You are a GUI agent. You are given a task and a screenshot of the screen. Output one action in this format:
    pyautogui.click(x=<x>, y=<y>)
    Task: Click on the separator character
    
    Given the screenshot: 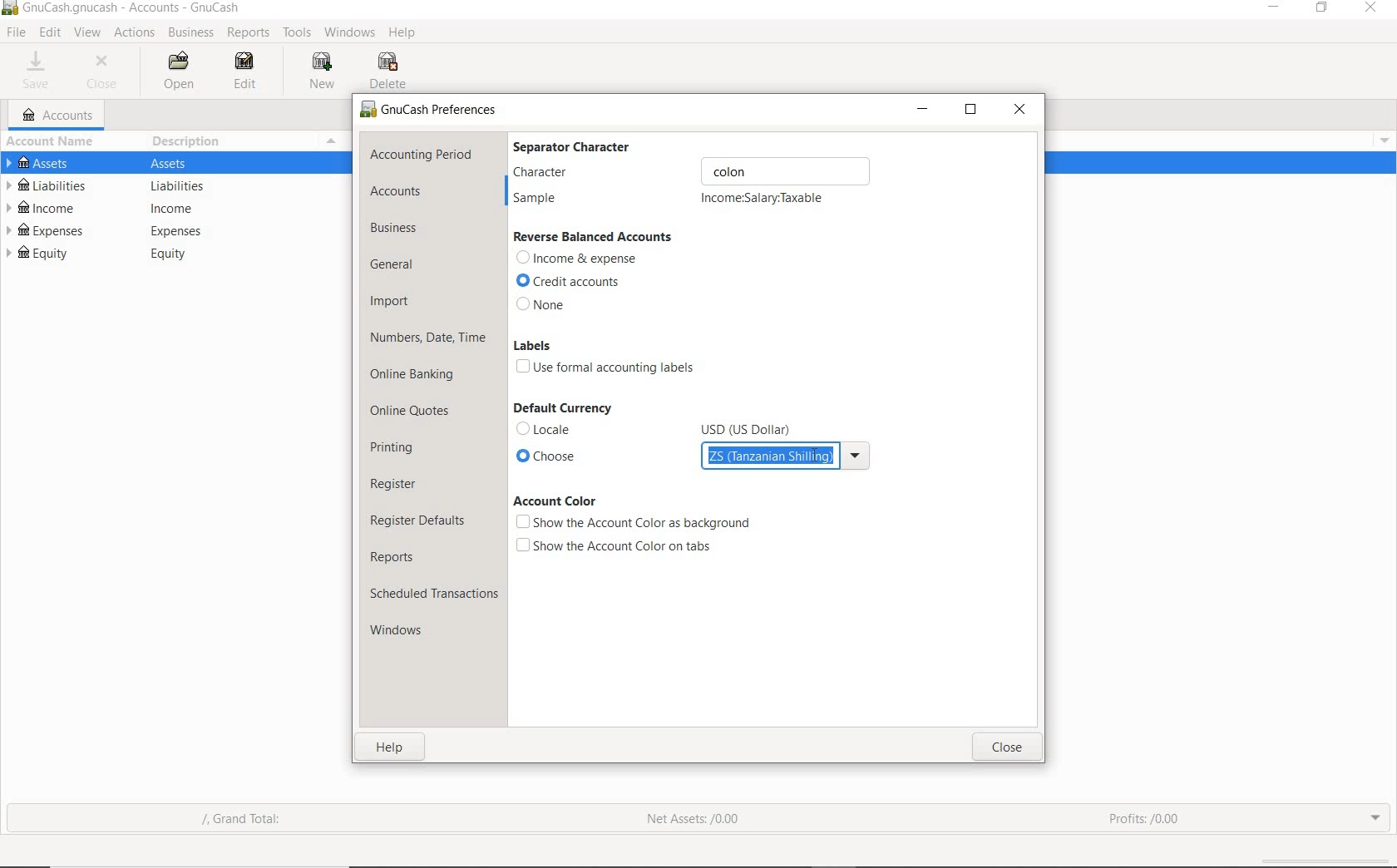 What is the action you would take?
    pyautogui.click(x=583, y=145)
    